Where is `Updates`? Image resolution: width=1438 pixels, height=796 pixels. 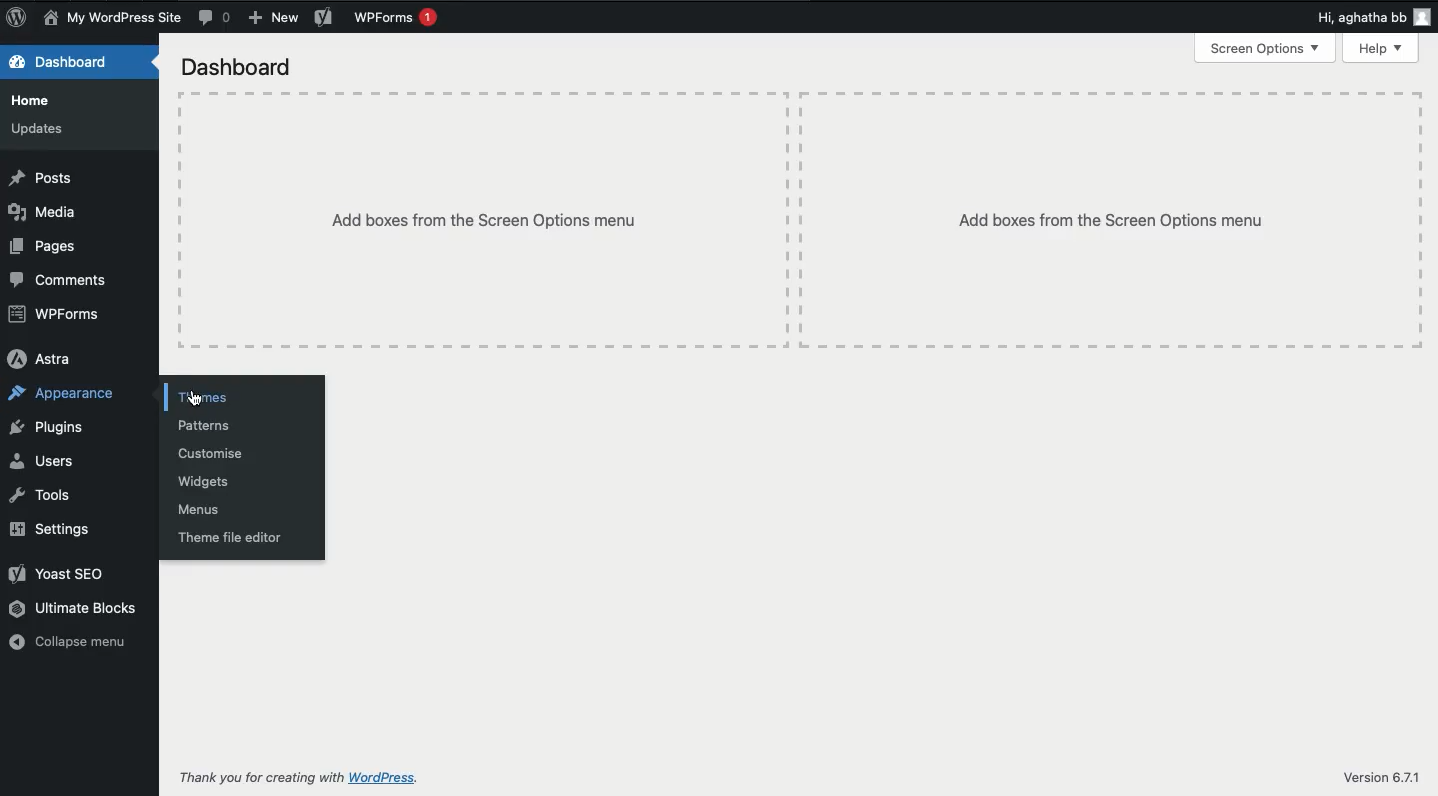
Updates is located at coordinates (41, 129).